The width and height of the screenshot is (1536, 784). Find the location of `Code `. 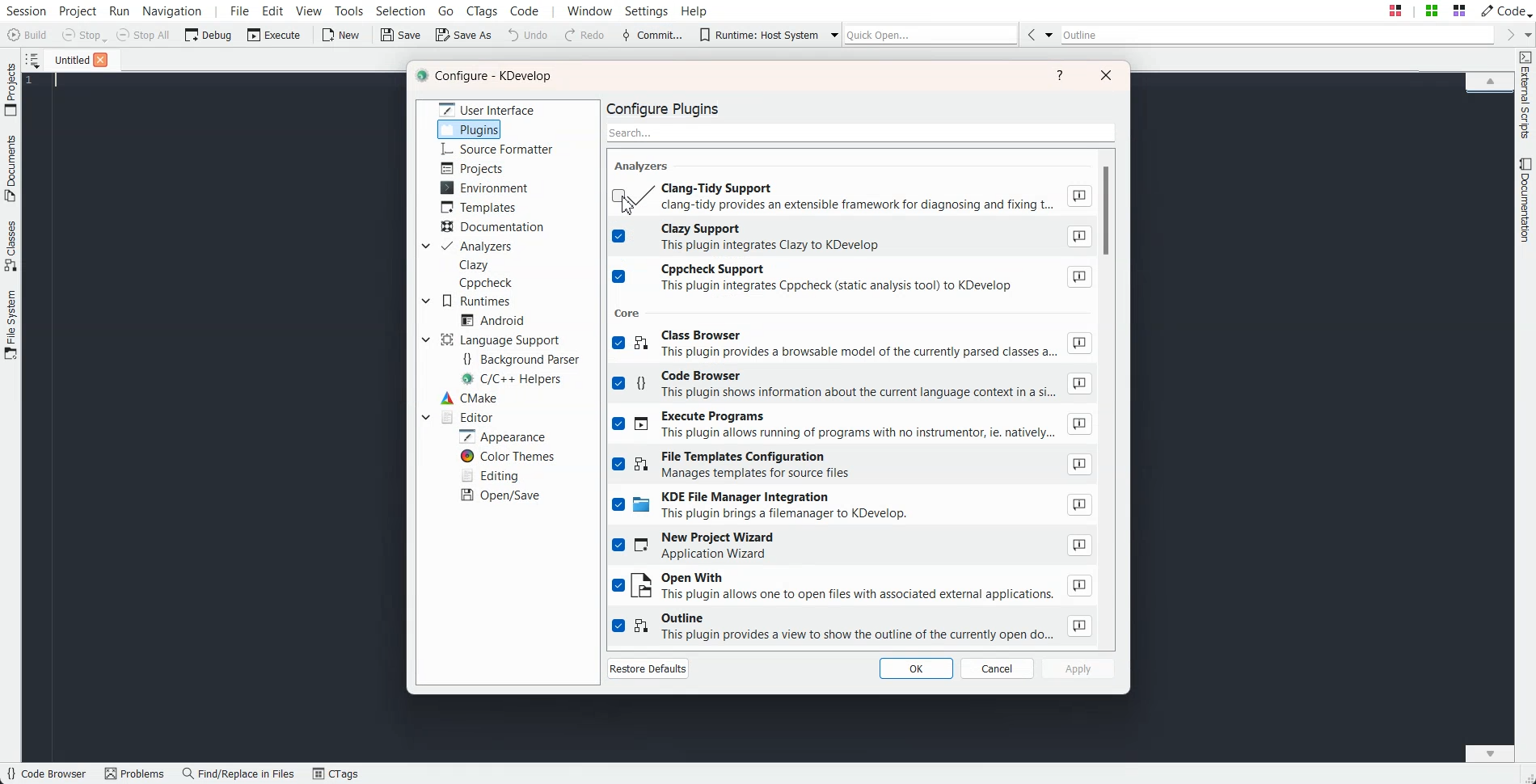

Code  is located at coordinates (1504, 10).